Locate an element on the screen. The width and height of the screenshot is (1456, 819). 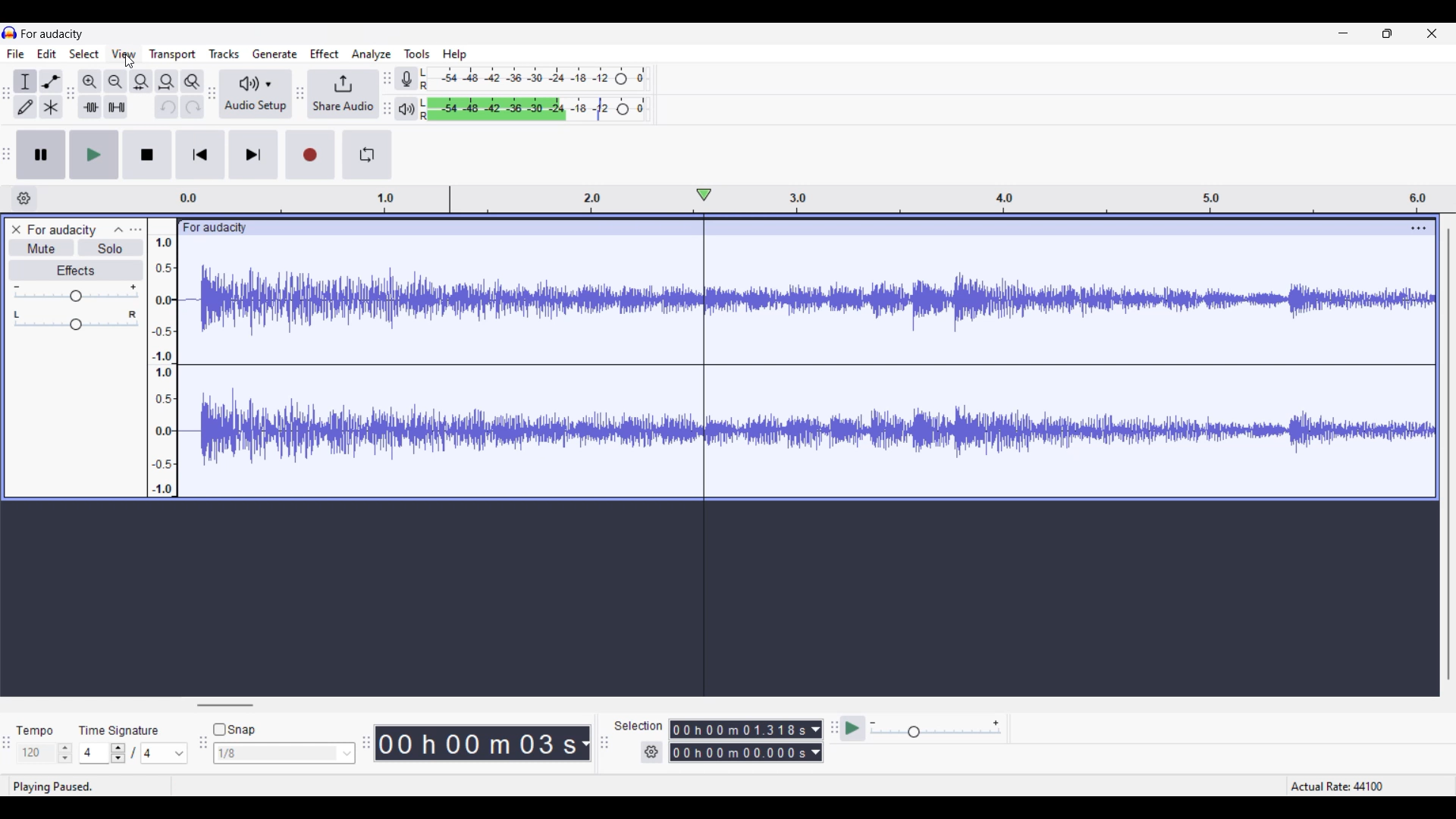
Record/Record new track is located at coordinates (312, 154).